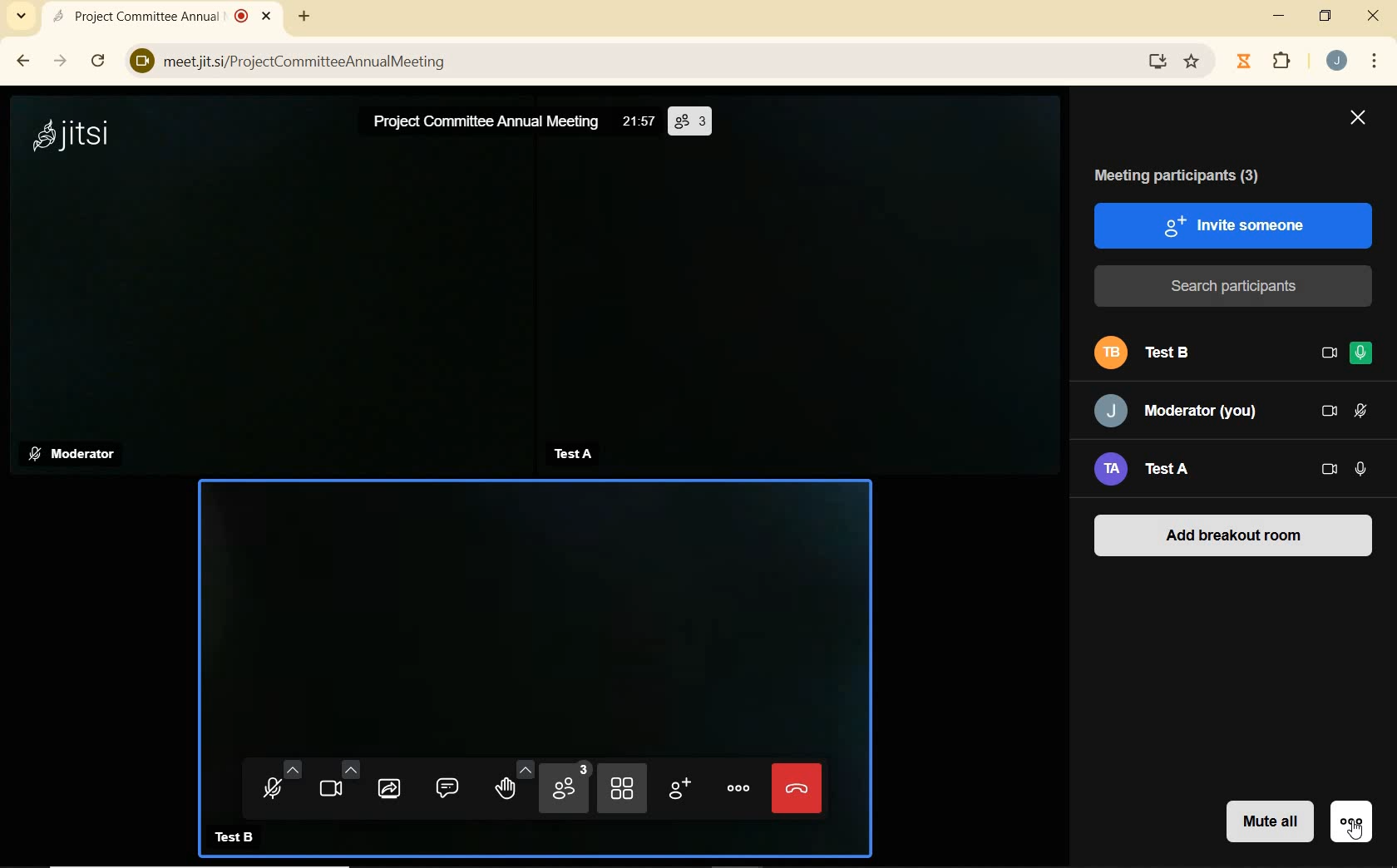 The height and width of the screenshot is (868, 1397). What do you see at coordinates (1337, 62) in the screenshot?
I see `ACCOUNT` at bounding box center [1337, 62].